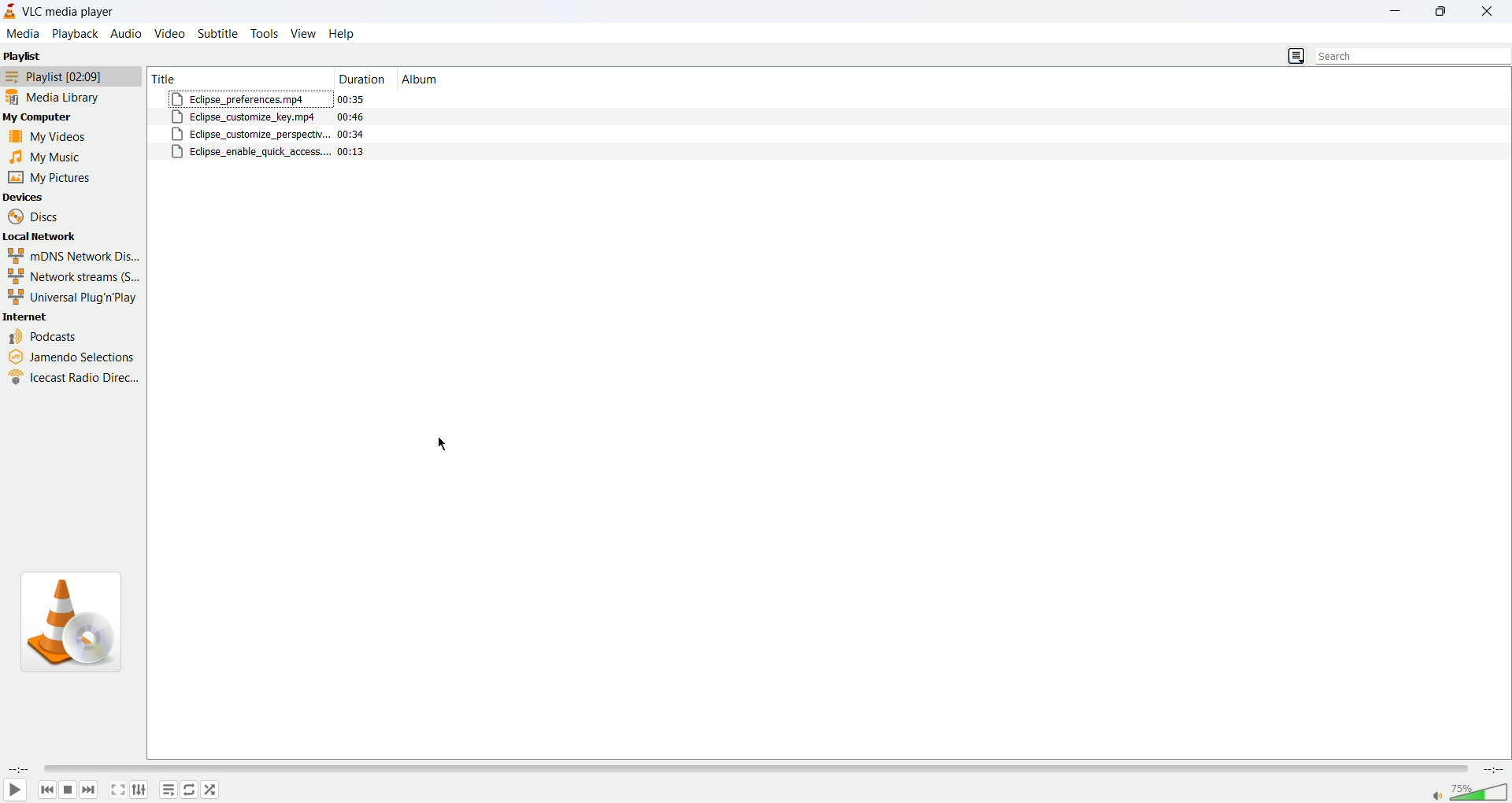  Describe the element at coordinates (72, 78) in the screenshot. I see `playlist` at that location.